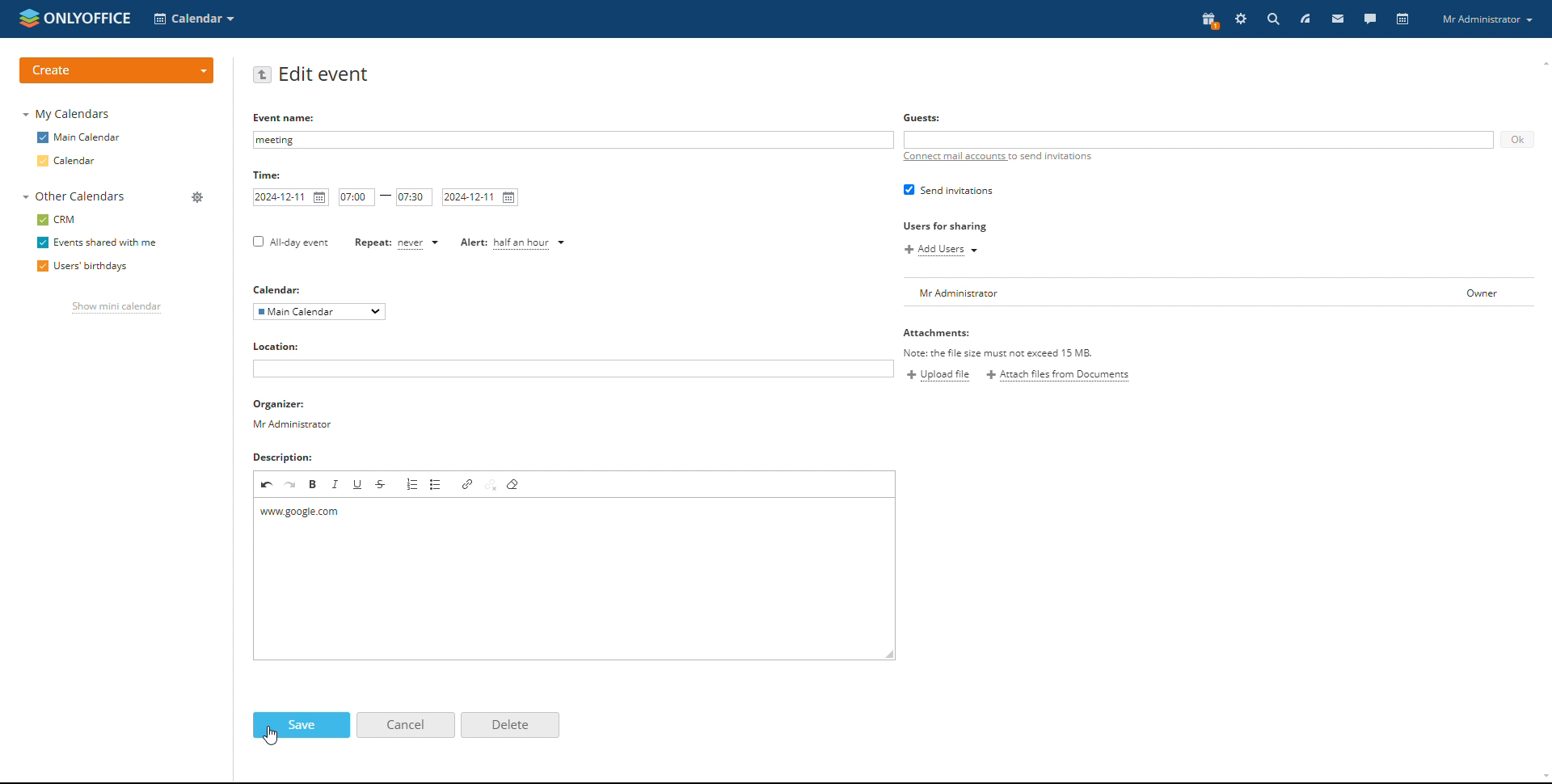 Image resolution: width=1552 pixels, height=784 pixels. Describe the element at coordinates (291, 198) in the screenshot. I see `start date` at that location.